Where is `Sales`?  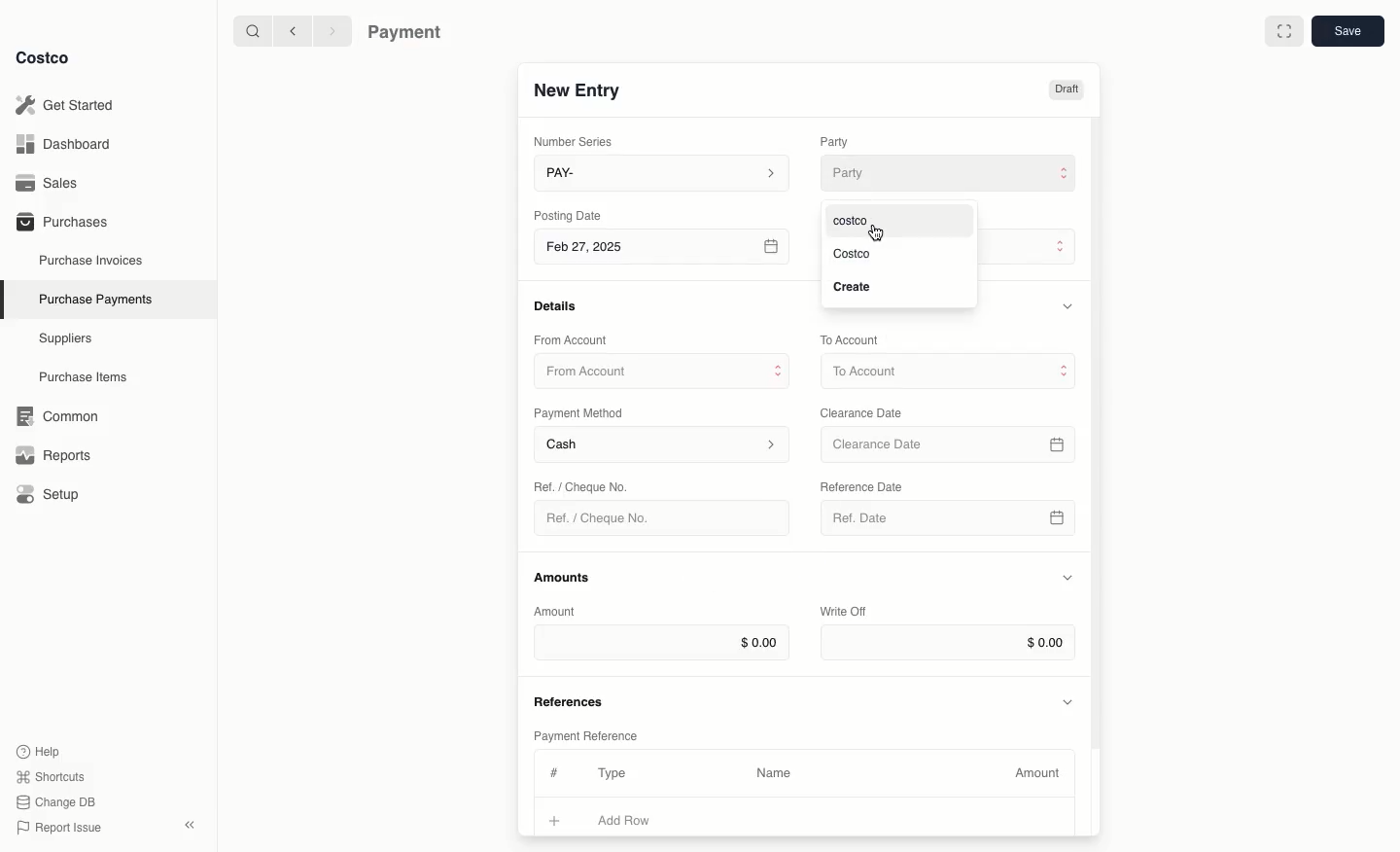
Sales is located at coordinates (53, 183).